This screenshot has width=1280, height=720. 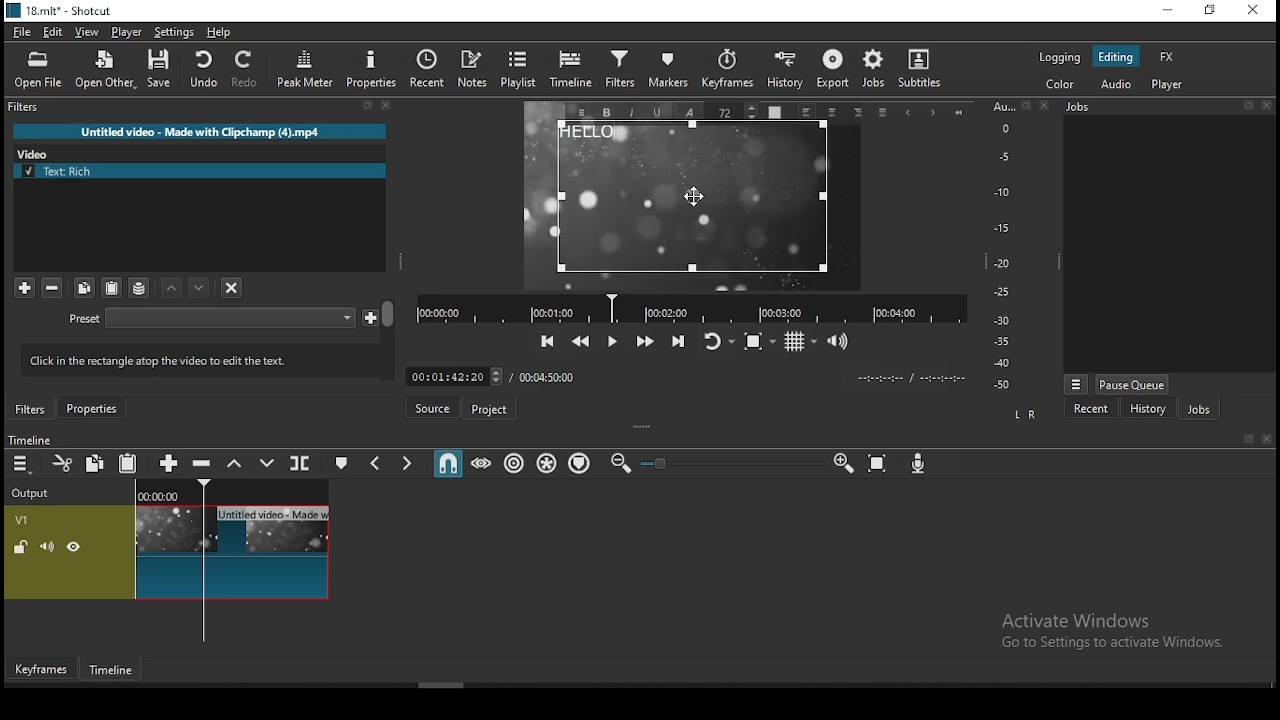 What do you see at coordinates (1076, 384) in the screenshot?
I see `Menu` at bounding box center [1076, 384].